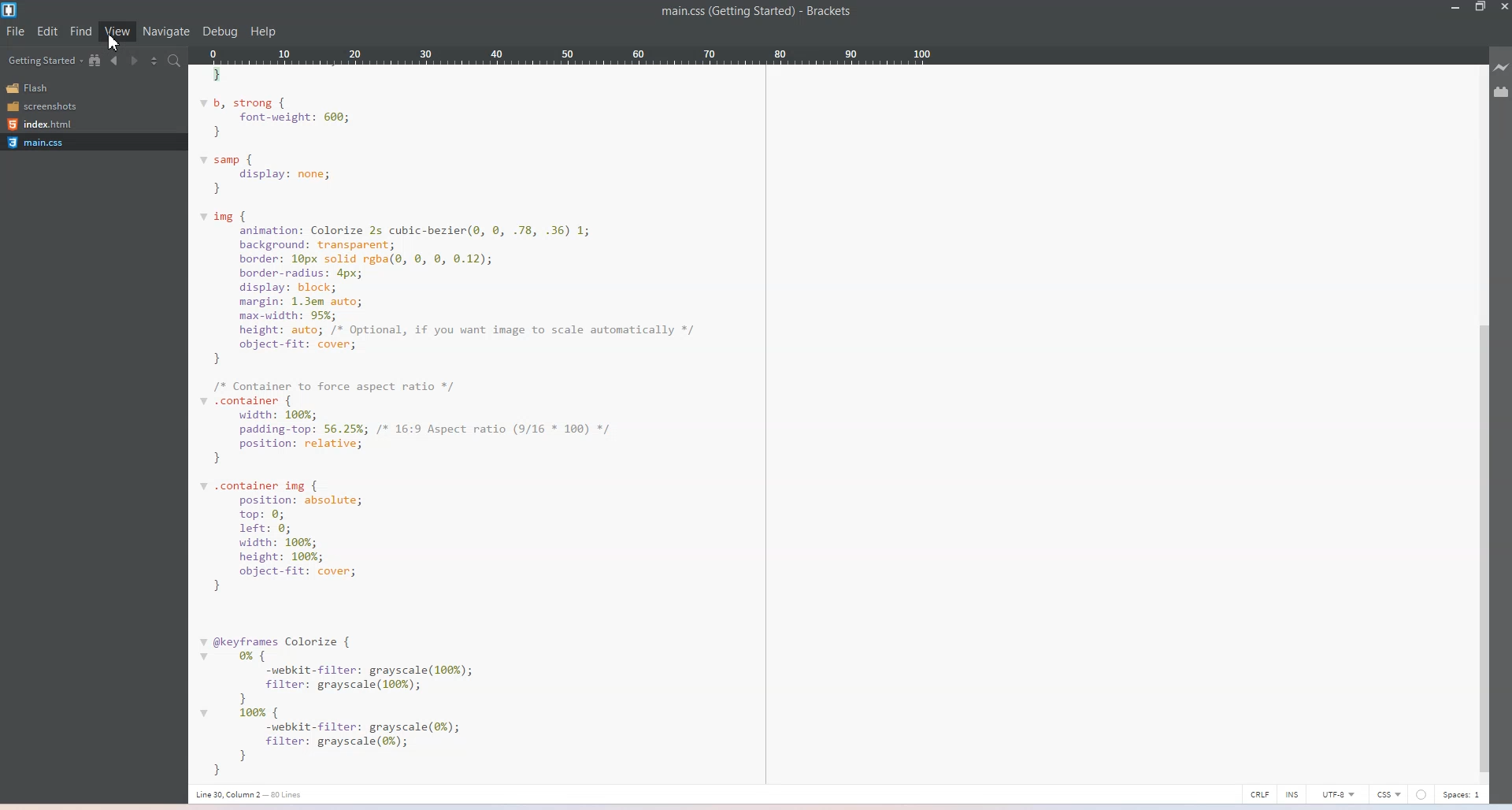  I want to click on Toggle Insert/Overwrite, so click(1291, 793).